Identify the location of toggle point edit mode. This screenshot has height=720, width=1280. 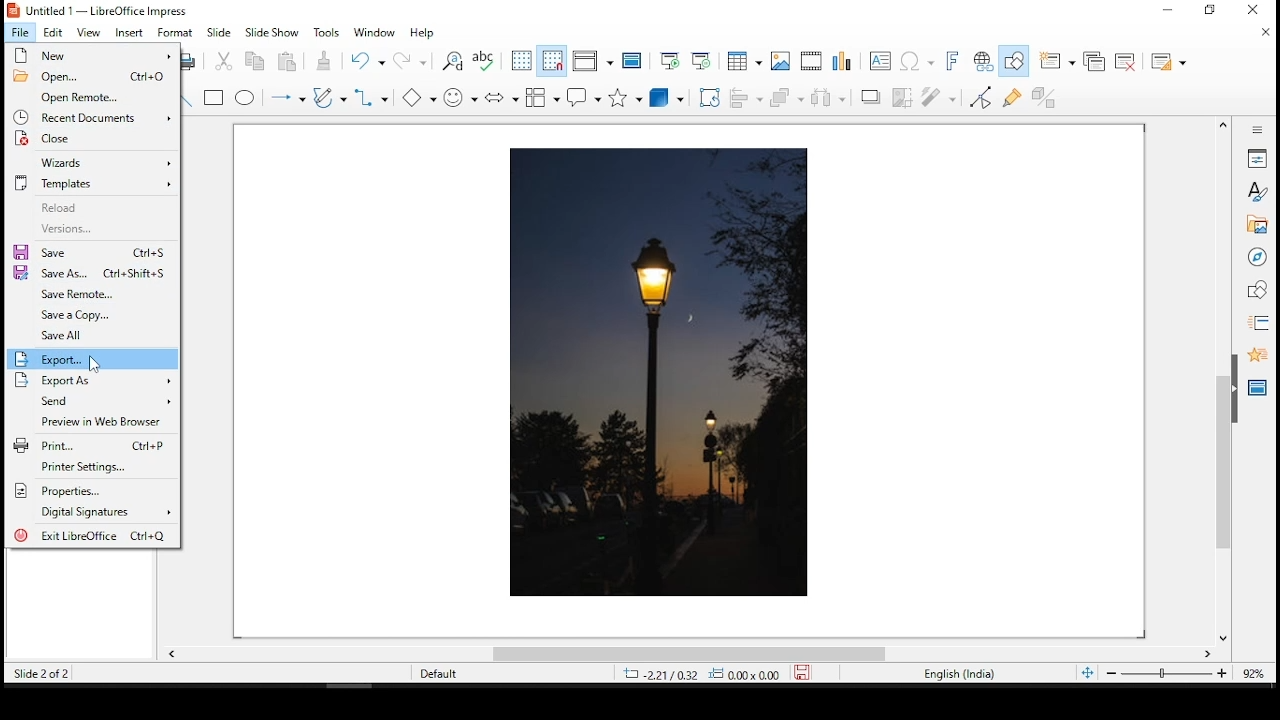
(981, 100).